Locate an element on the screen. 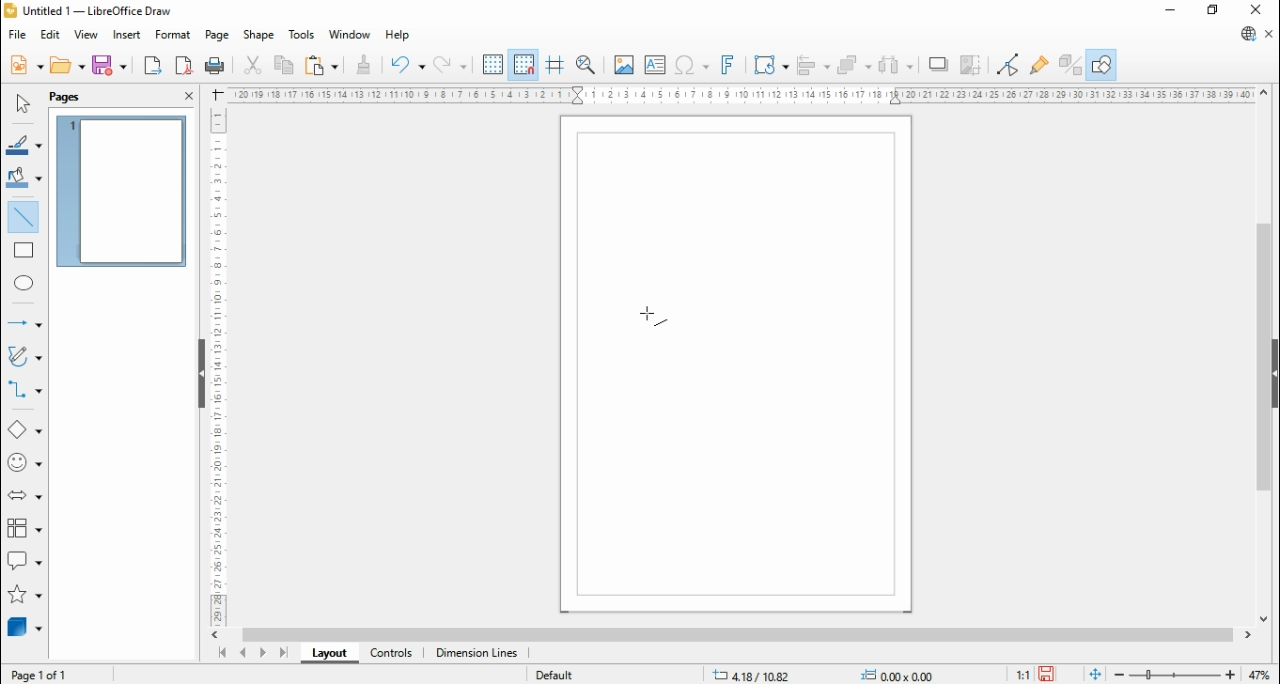 The height and width of the screenshot is (684, 1280). restore is located at coordinates (1214, 11).